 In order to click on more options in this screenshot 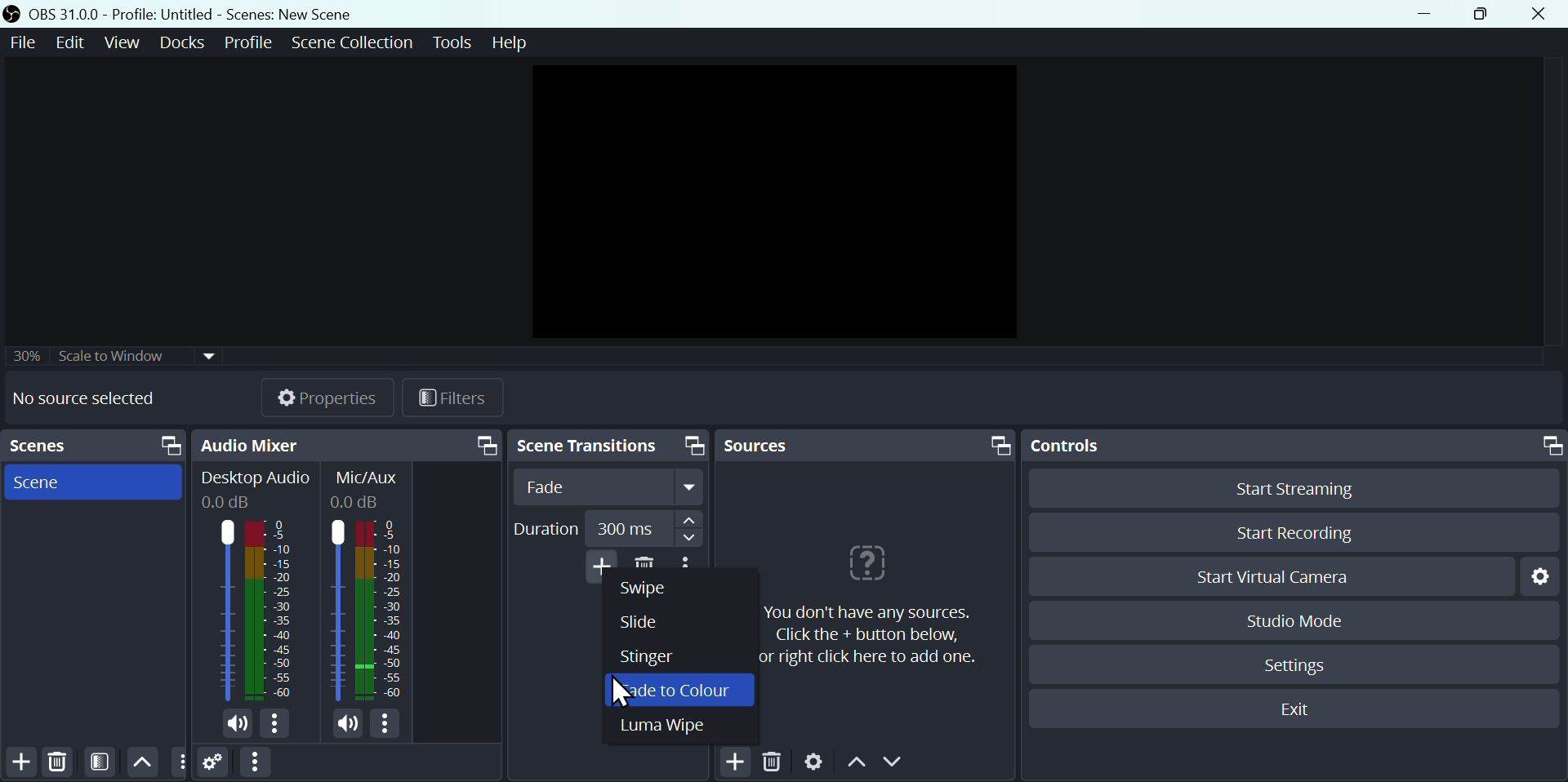, I will do `click(278, 725)`.